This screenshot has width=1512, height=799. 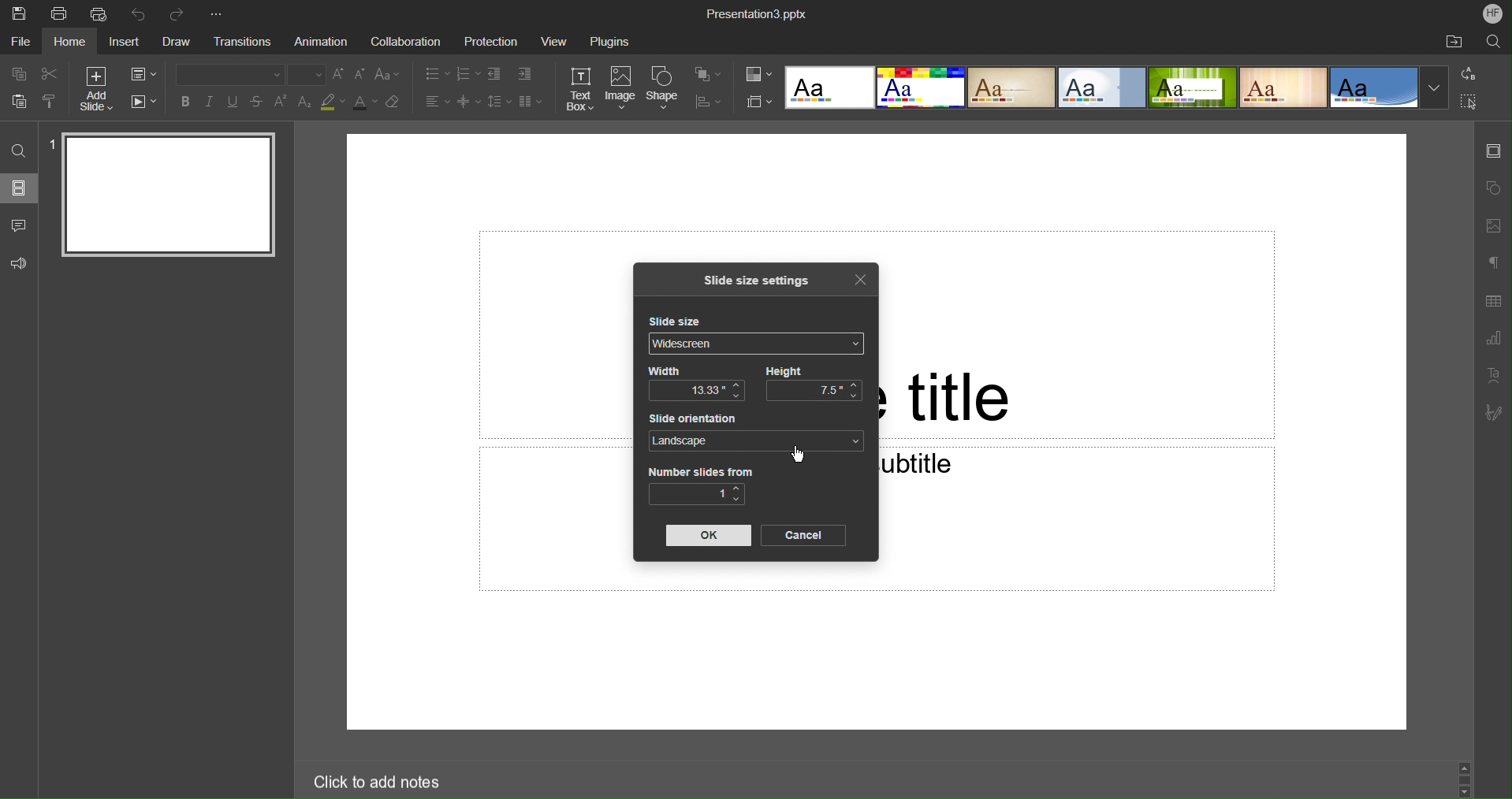 I want to click on Protection, so click(x=493, y=43).